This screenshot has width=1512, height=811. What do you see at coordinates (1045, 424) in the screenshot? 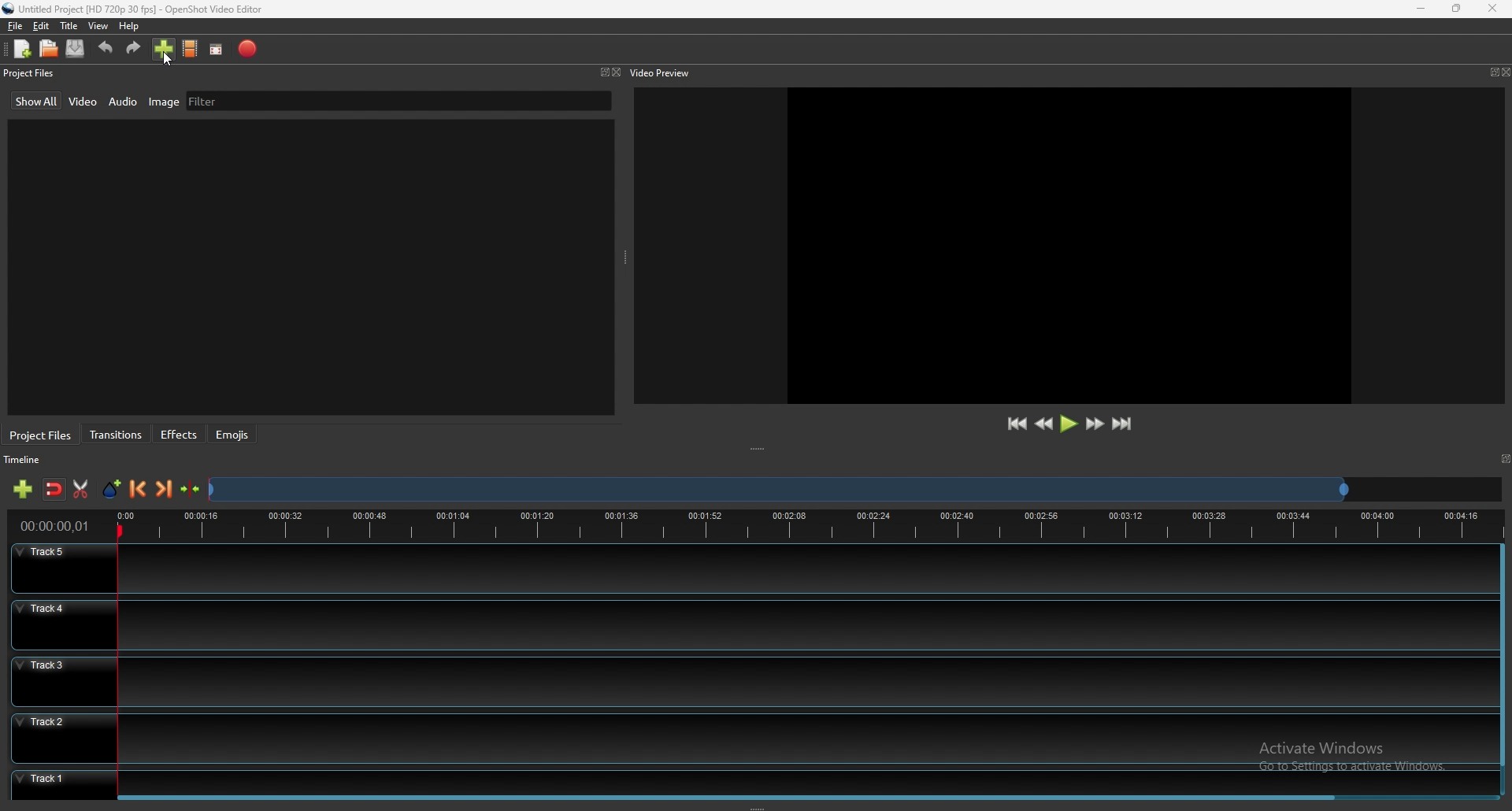
I see `rewind` at bounding box center [1045, 424].